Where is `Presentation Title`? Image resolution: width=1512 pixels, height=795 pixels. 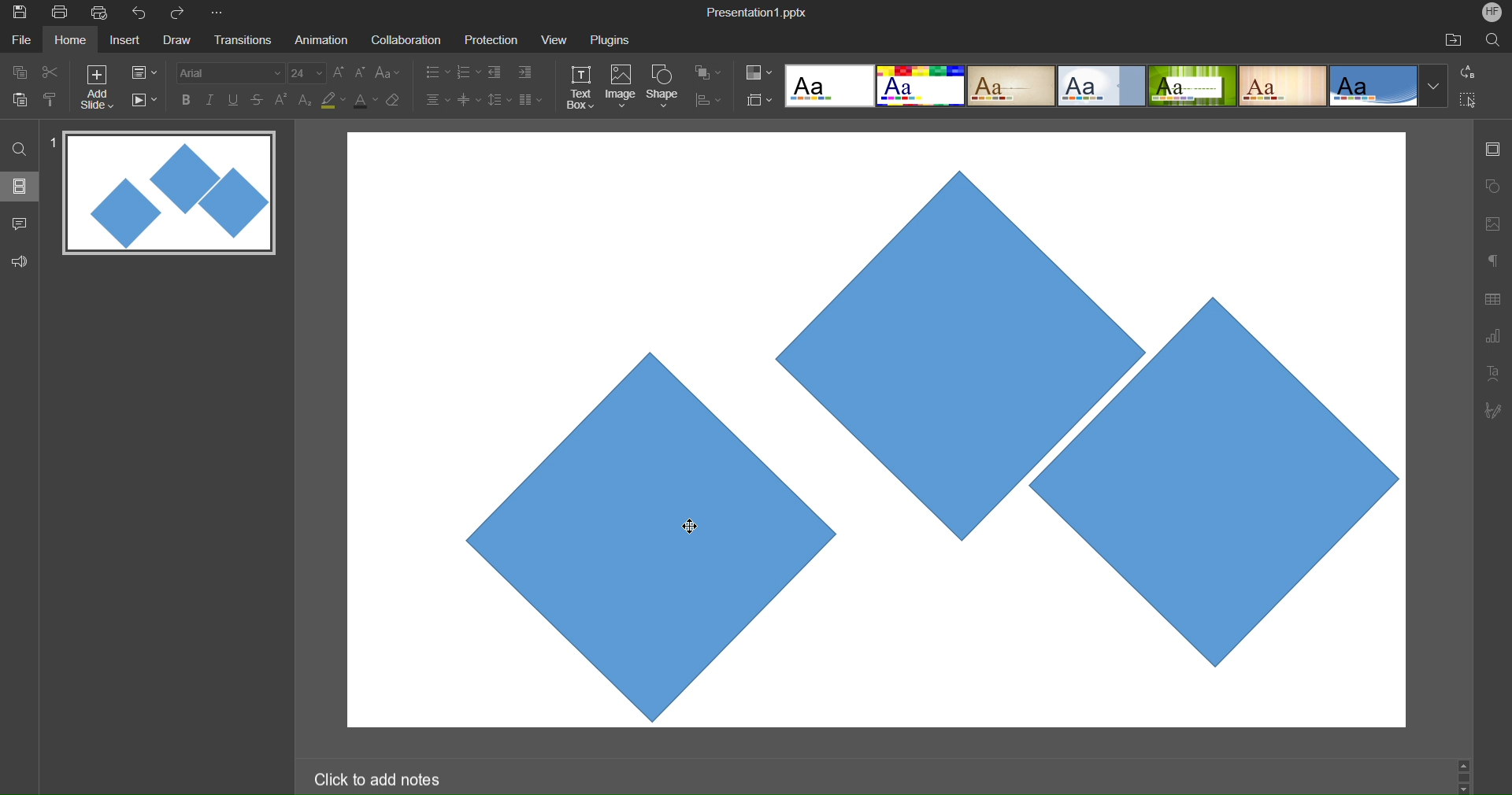
Presentation Title is located at coordinates (759, 11).